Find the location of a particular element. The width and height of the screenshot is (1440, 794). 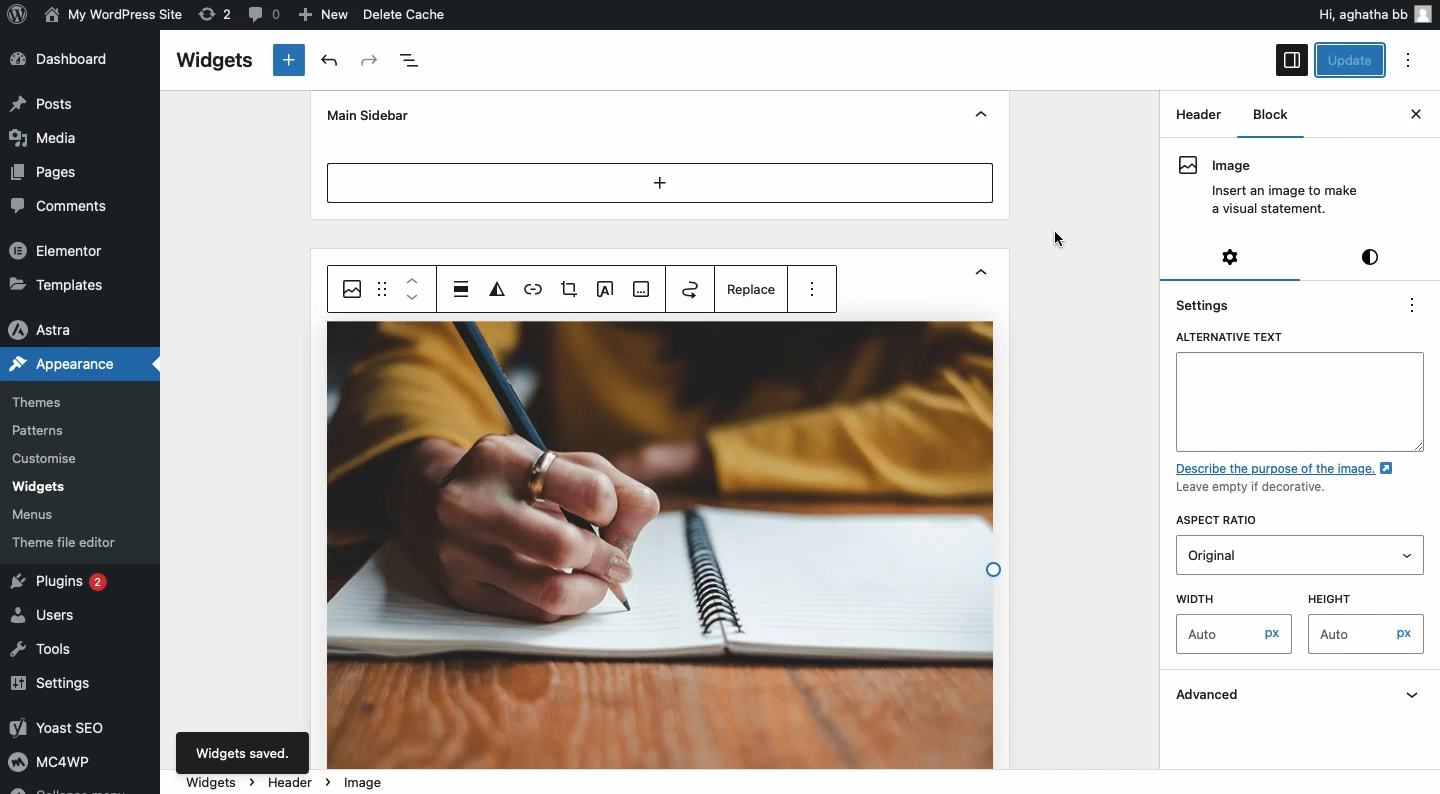

Settings is located at coordinates (1209, 304).